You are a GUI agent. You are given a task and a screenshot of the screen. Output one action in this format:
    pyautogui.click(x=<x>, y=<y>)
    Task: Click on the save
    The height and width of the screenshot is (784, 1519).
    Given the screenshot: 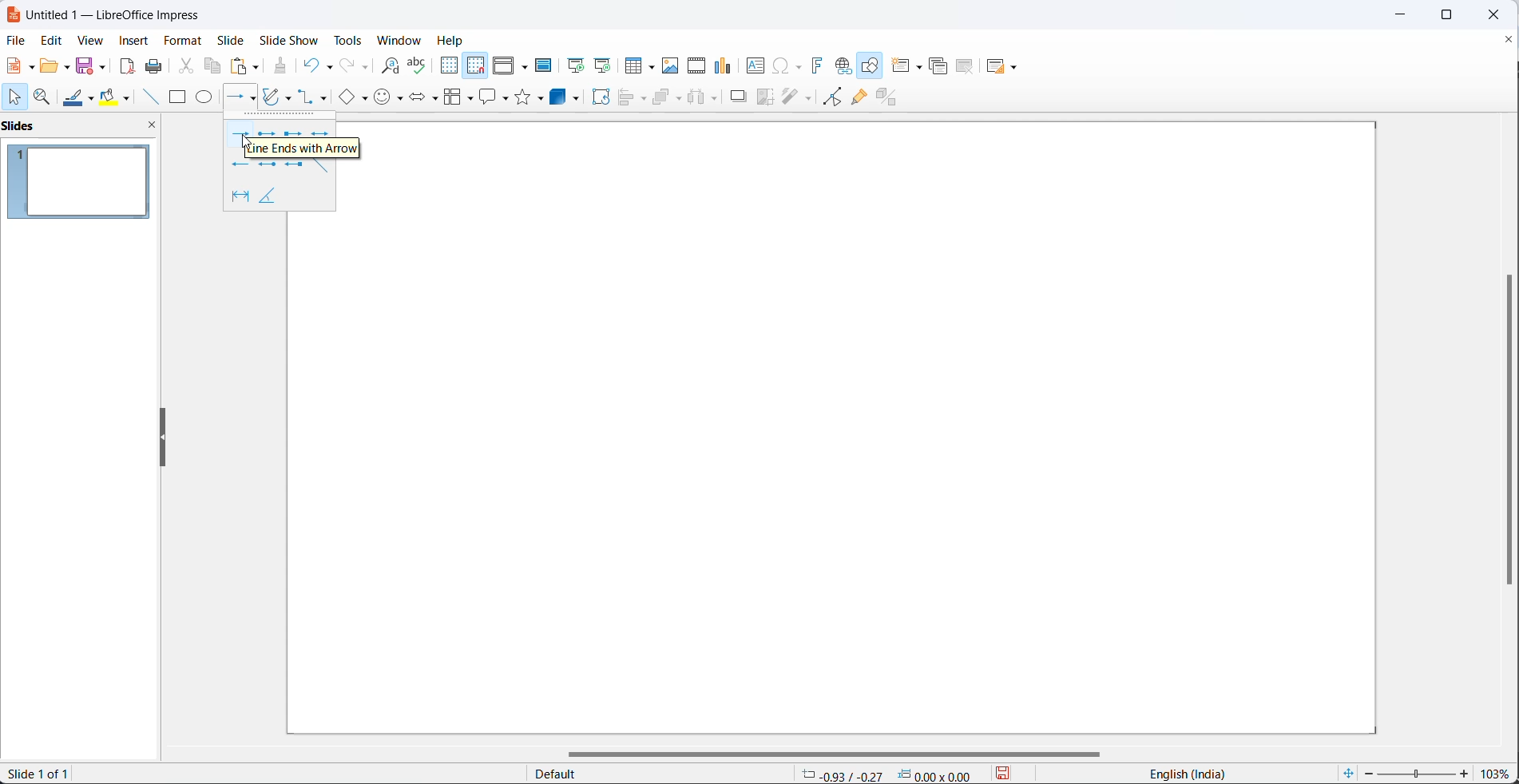 What is the action you would take?
    pyautogui.click(x=1009, y=774)
    